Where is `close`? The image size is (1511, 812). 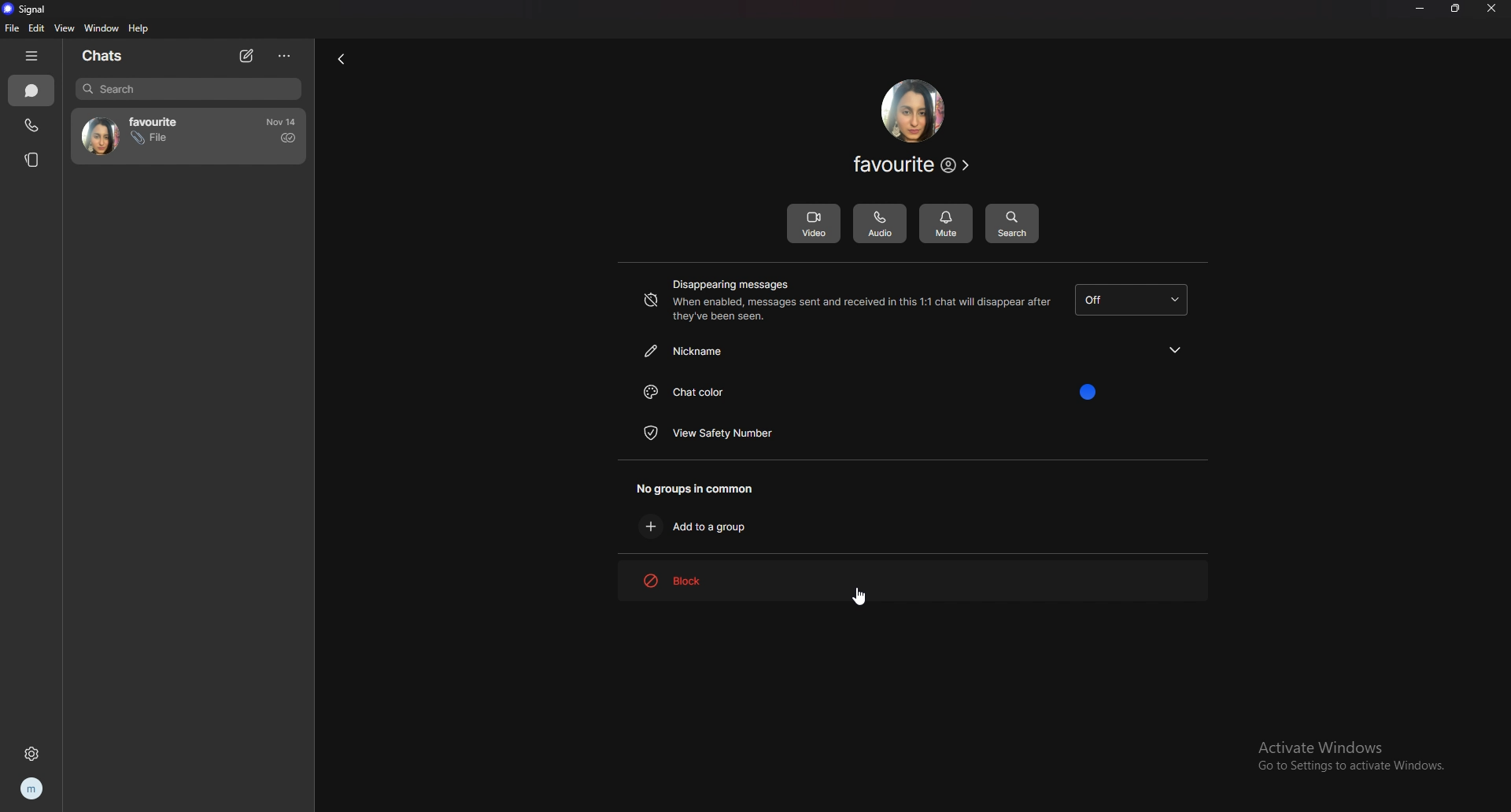 close is located at coordinates (1494, 9).